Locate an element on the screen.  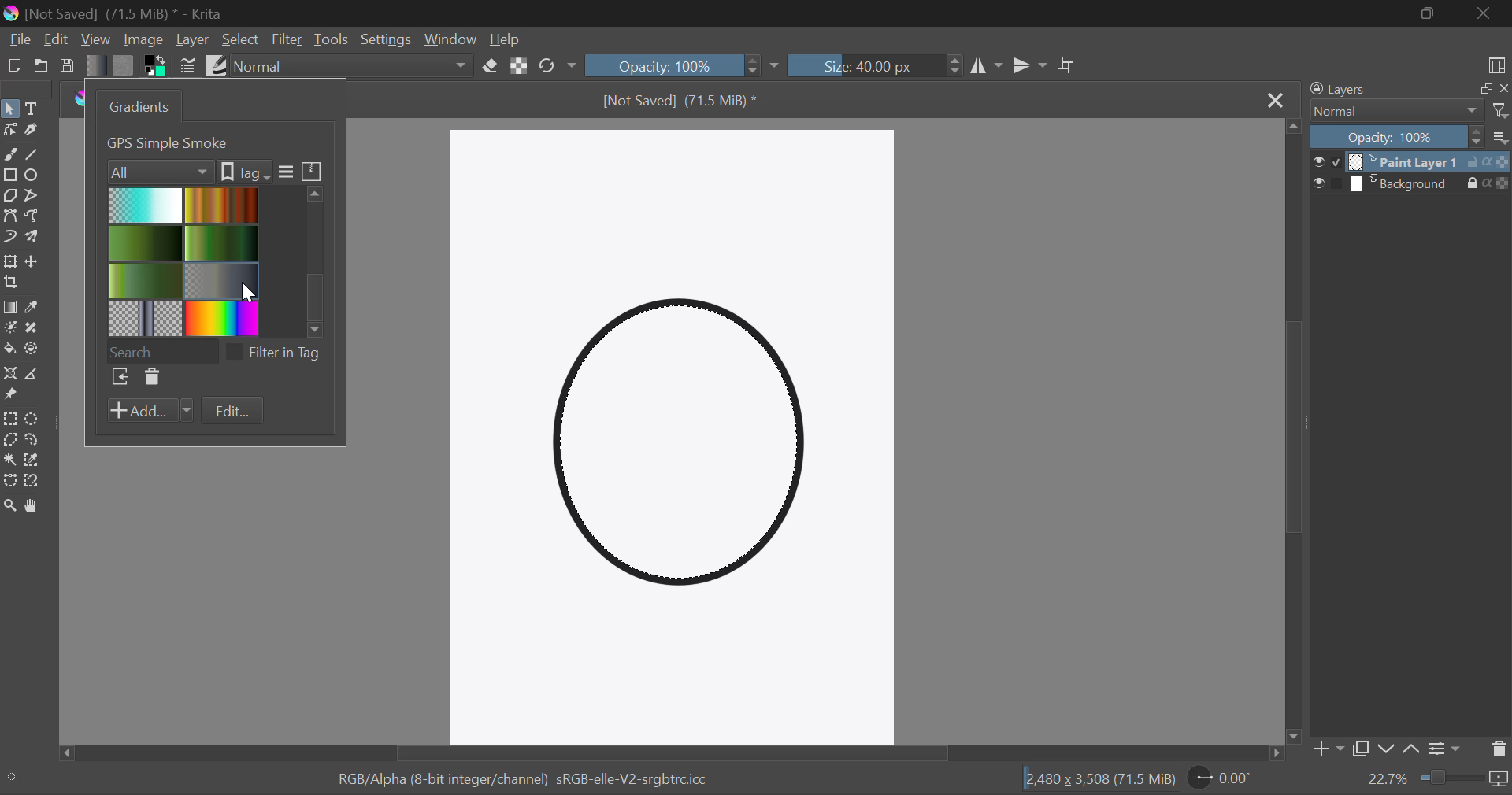
Move layer down is located at coordinates (1387, 751).